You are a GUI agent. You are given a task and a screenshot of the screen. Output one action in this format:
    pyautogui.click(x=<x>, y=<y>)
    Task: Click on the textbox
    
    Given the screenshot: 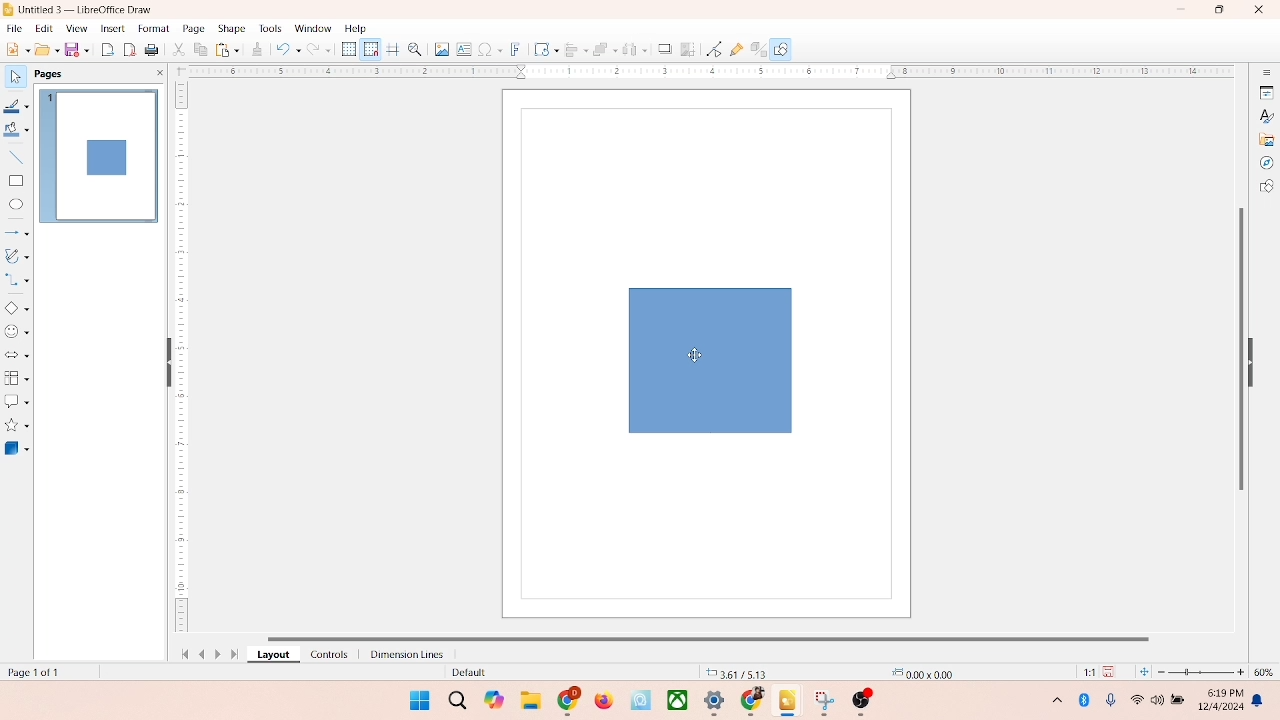 What is the action you would take?
    pyautogui.click(x=463, y=51)
    